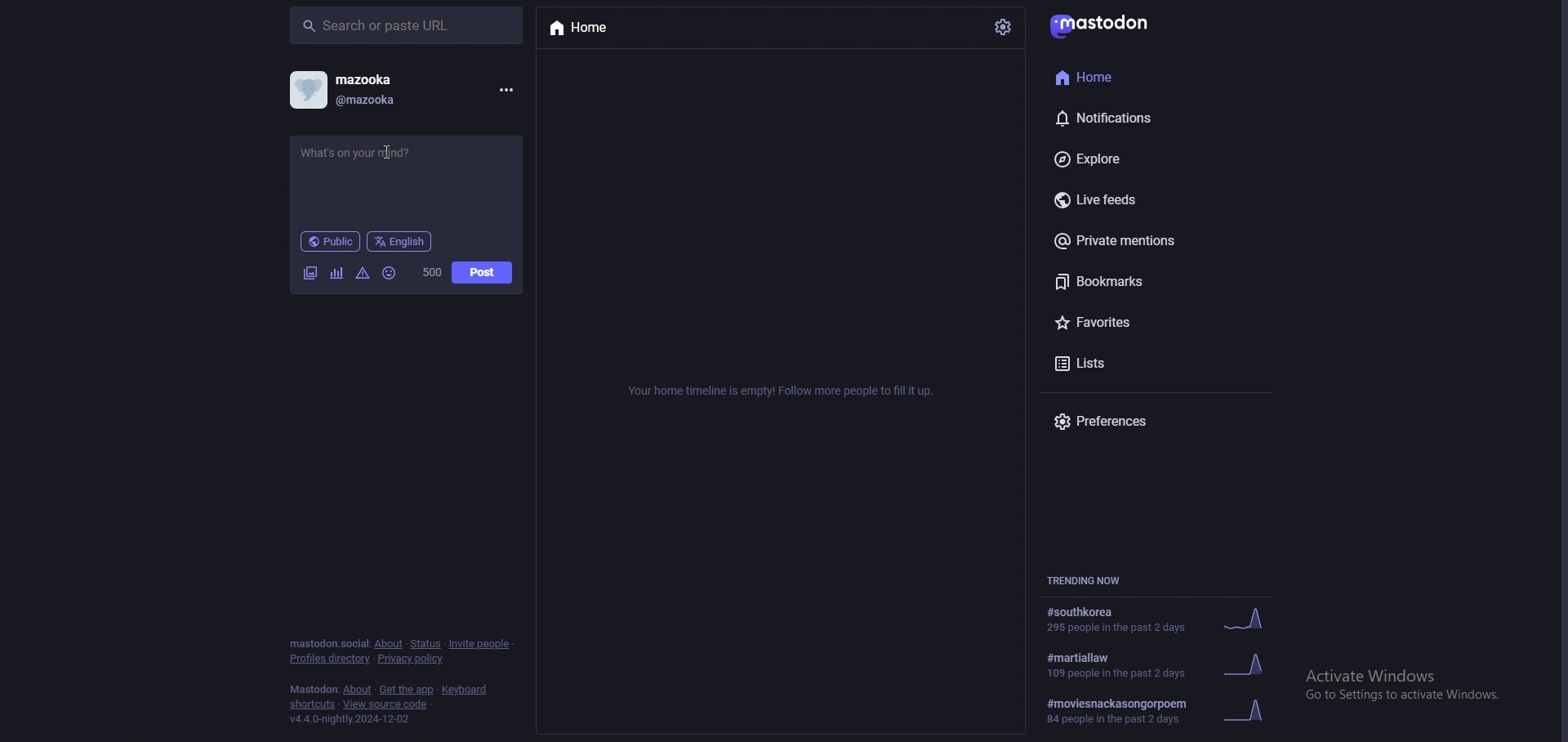 The image size is (1568, 742). Describe the element at coordinates (311, 689) in the screenshot. I see `mastodon` at that location.